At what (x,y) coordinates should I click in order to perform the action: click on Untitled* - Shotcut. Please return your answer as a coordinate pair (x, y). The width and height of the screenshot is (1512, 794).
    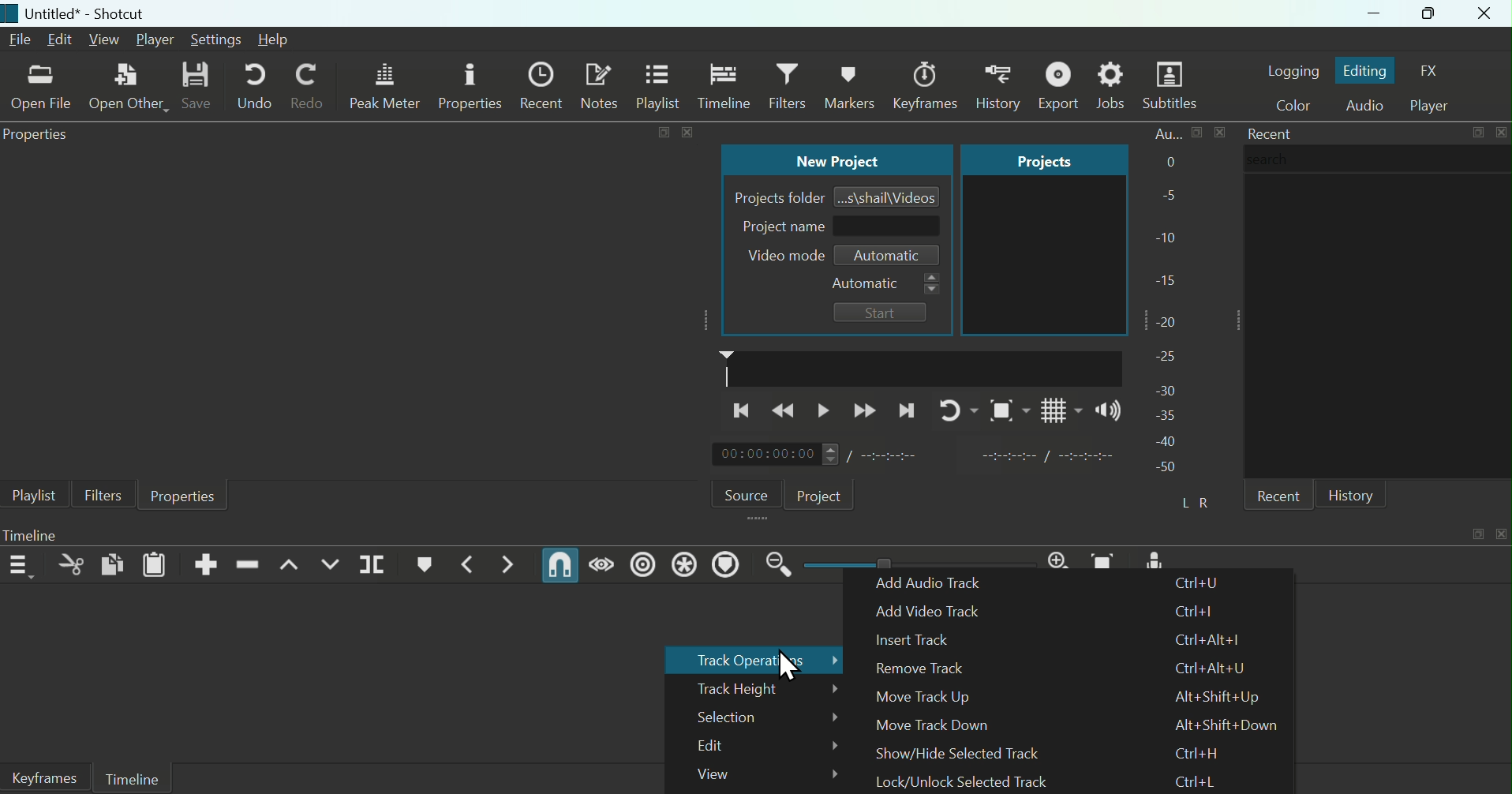
    Looking at the image, I should click on (82, 14).